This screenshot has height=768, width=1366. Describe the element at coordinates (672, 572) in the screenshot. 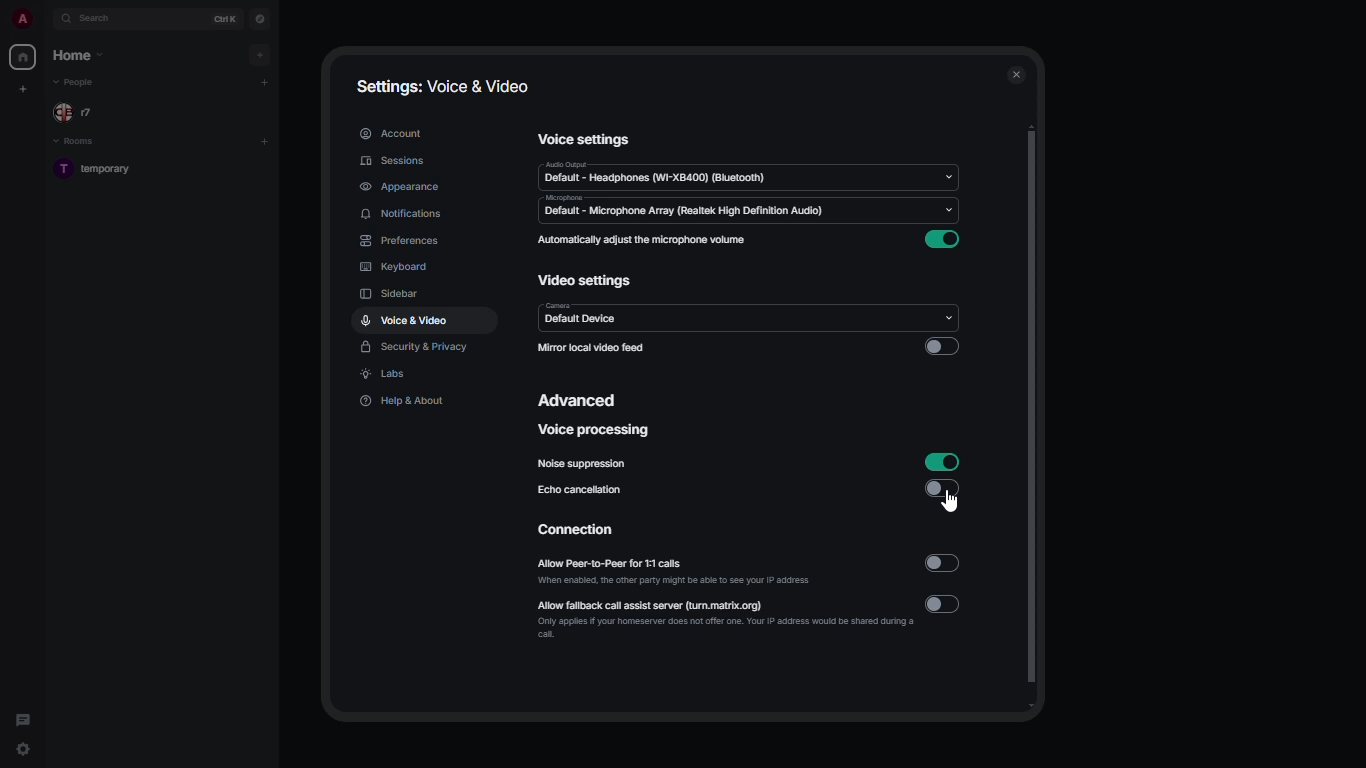

I see `allow peer-to-peer for 1:1 calls` at that location.